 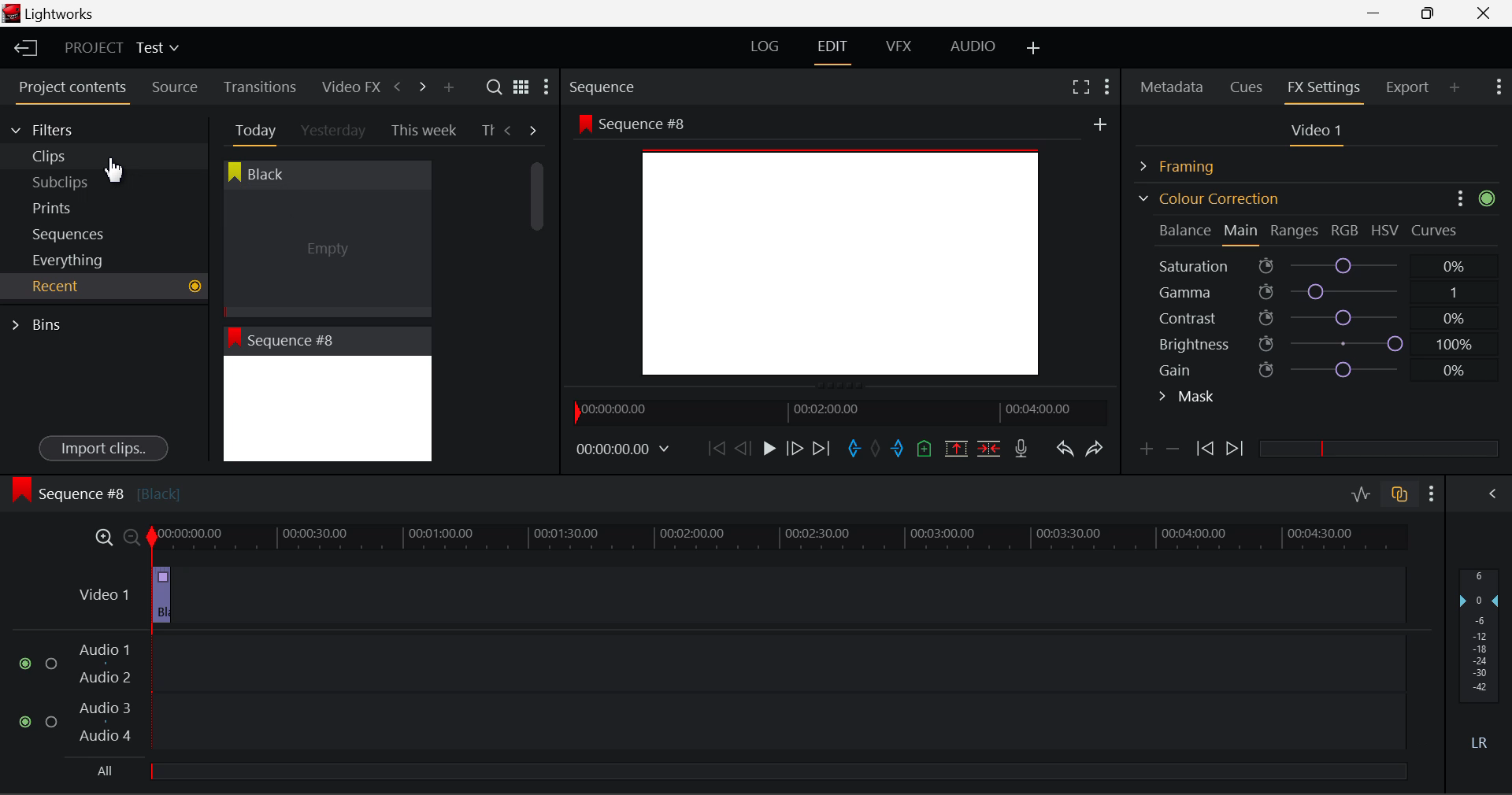 I want to click on Cursor on Clips, so click(x=112, y=156).